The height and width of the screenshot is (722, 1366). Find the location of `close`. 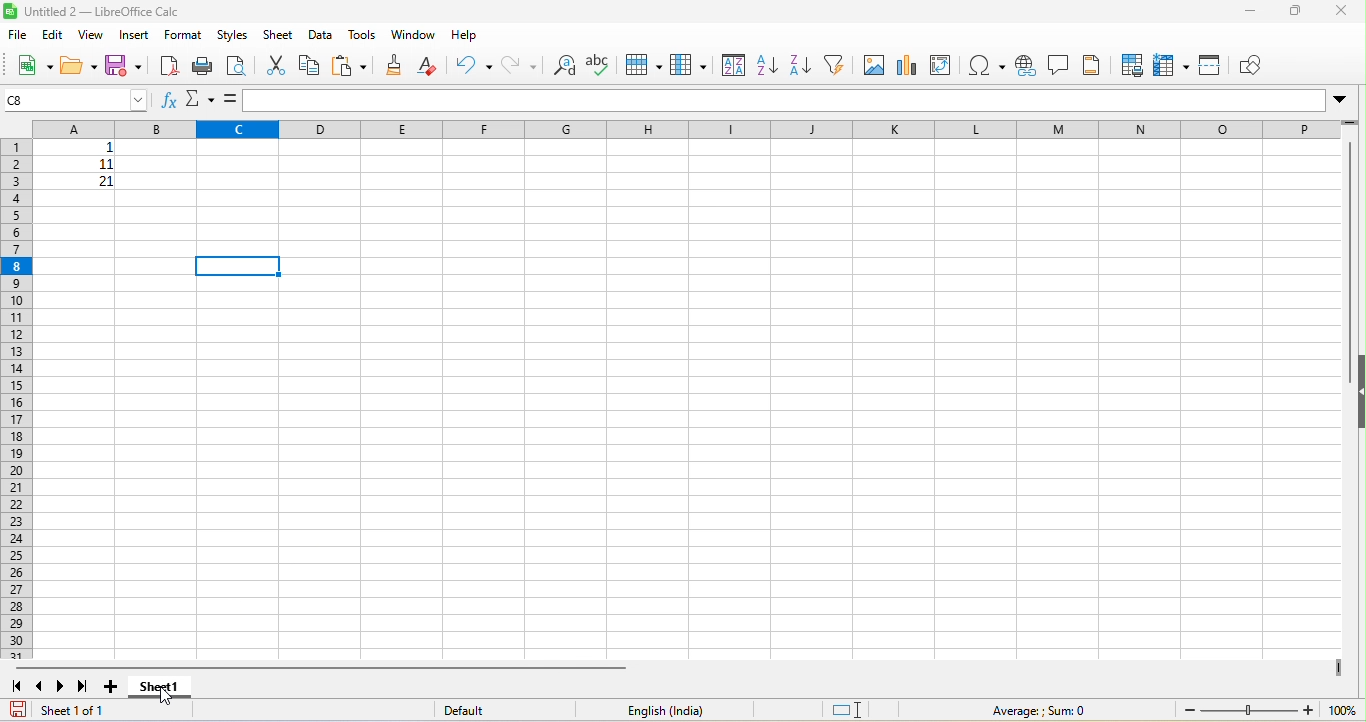

close is located at coordinates (1345, 11).